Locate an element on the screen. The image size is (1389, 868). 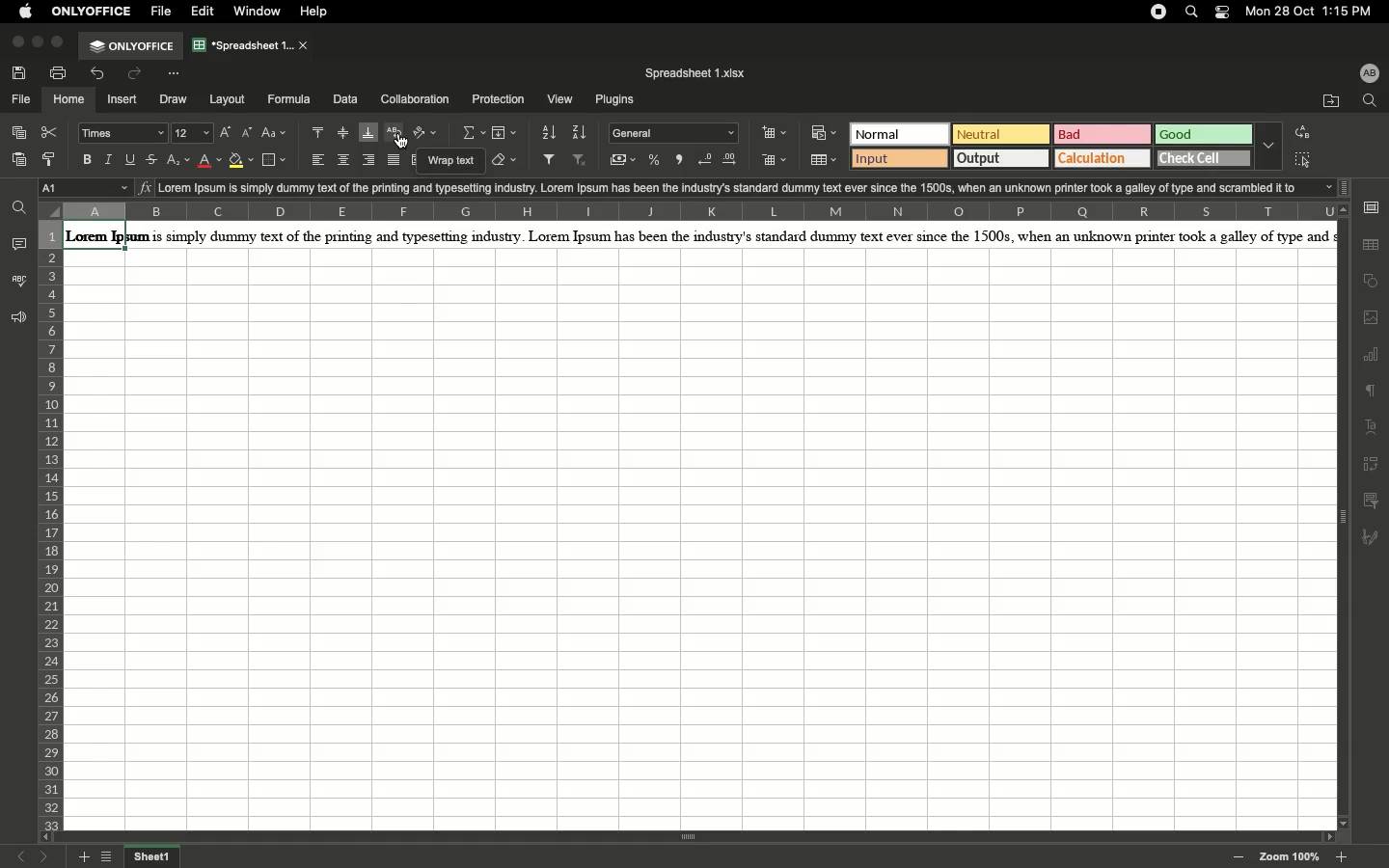
Subscript/superscript is located at coordinates (179, 161).